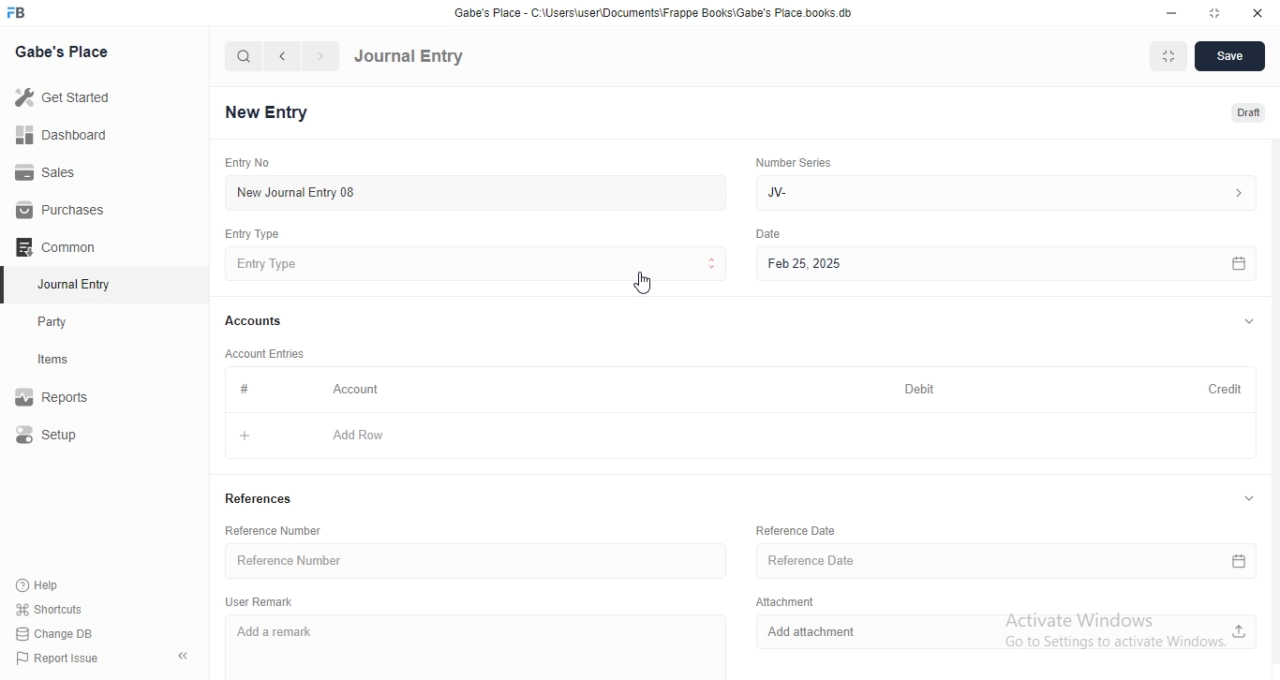  What do you see at coordinates (735, 436) in the screenshot?
I see `+ Add Row` at bounding box center [735, 436].